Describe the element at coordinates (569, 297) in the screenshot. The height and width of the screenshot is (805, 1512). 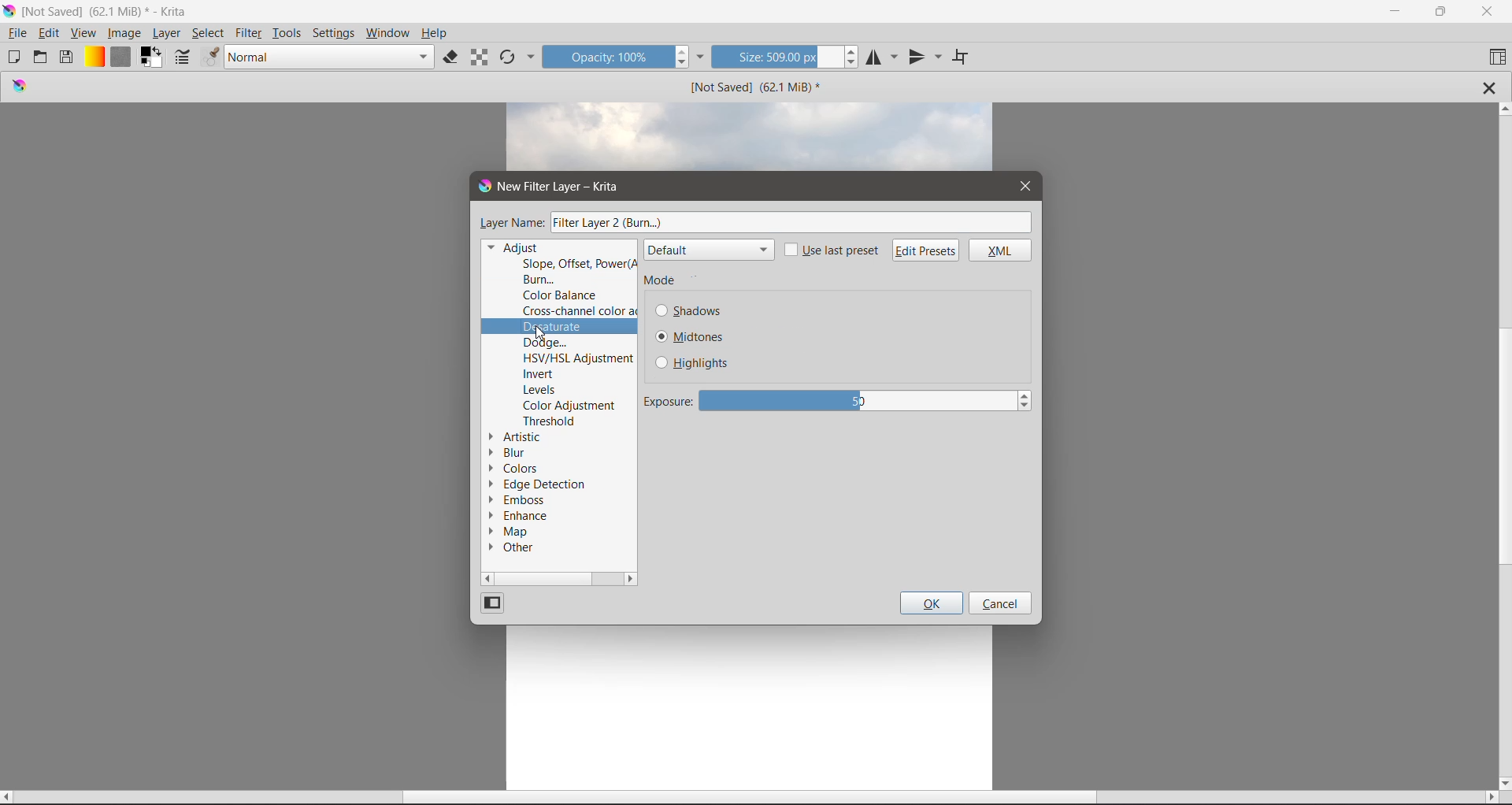
I see `Color Balance` at that location.